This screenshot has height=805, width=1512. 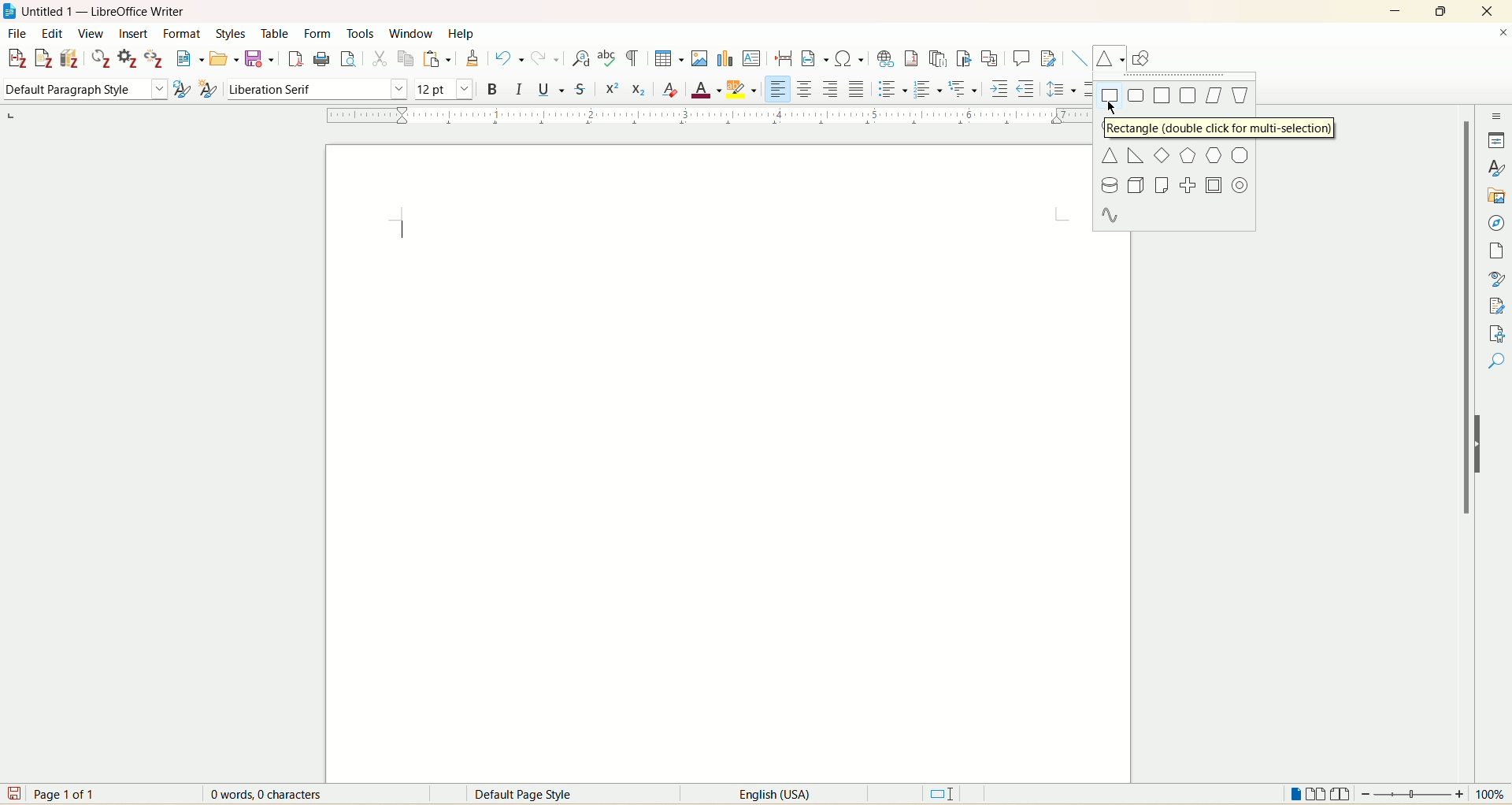 I want to click on zoom percent, so click(x=1492, y=794).